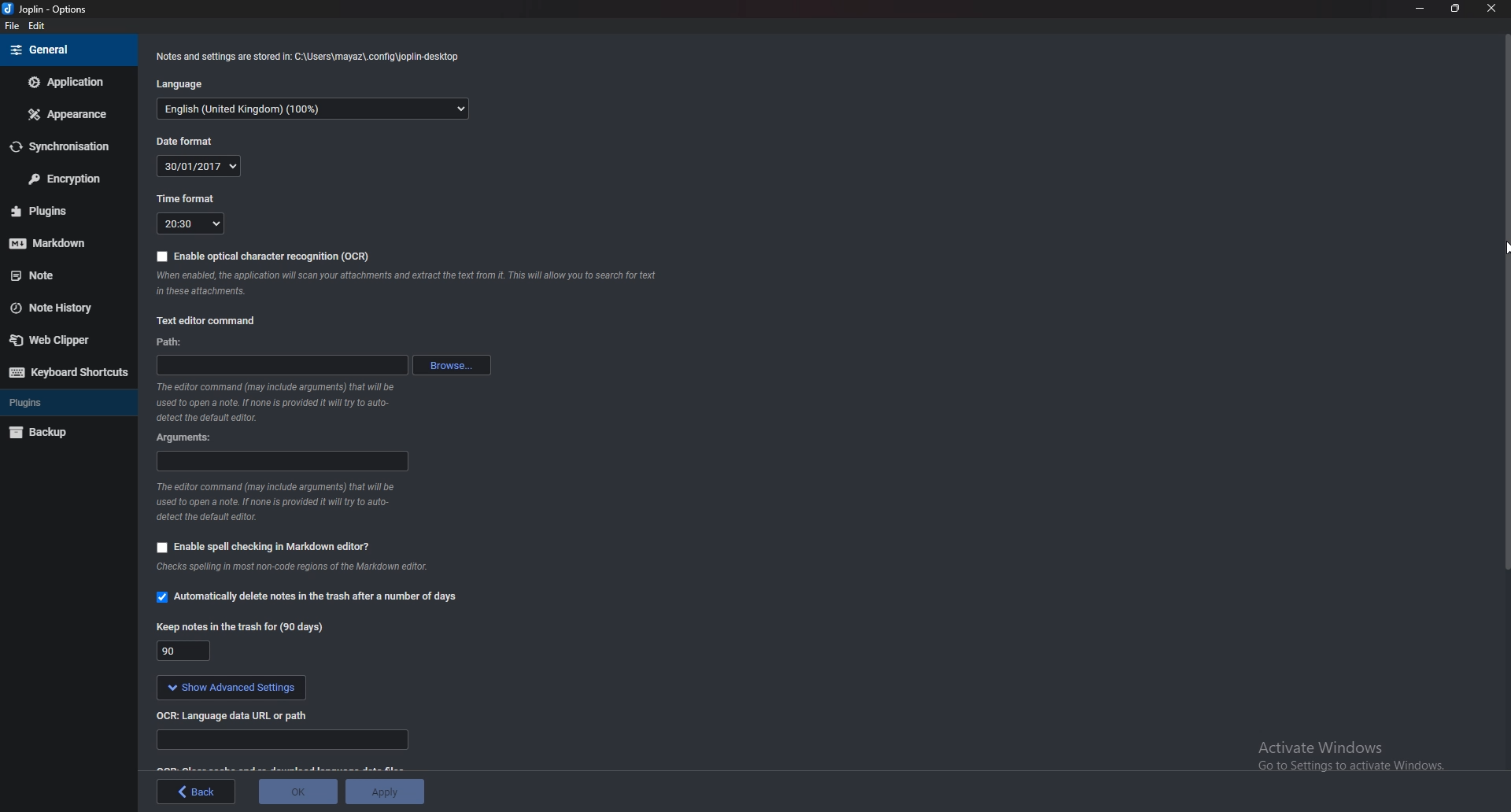  I want to click on Info, so click(312, 57).